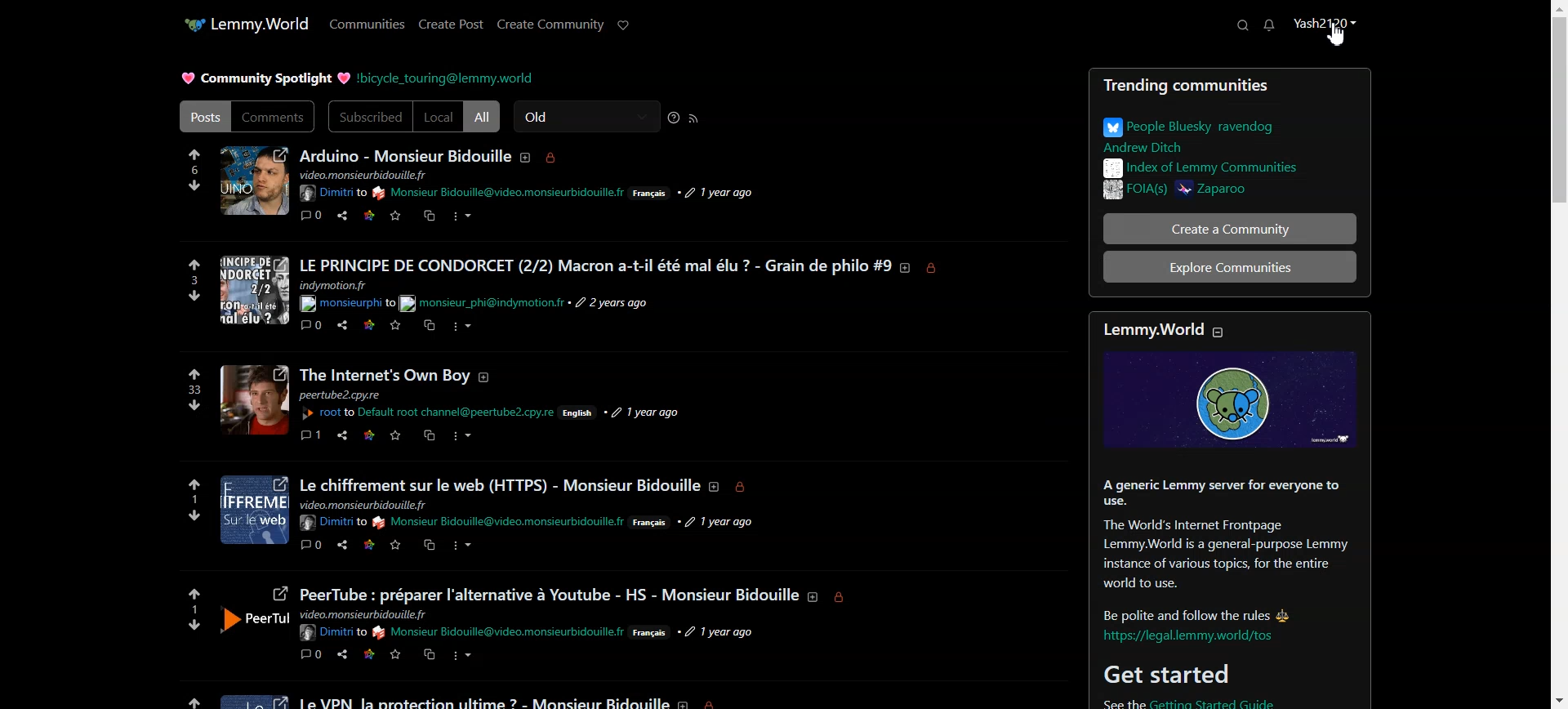  What do you see at coordinates (748, 489) in the screenshot?
I see `locked` at bounding box center [748, 489].